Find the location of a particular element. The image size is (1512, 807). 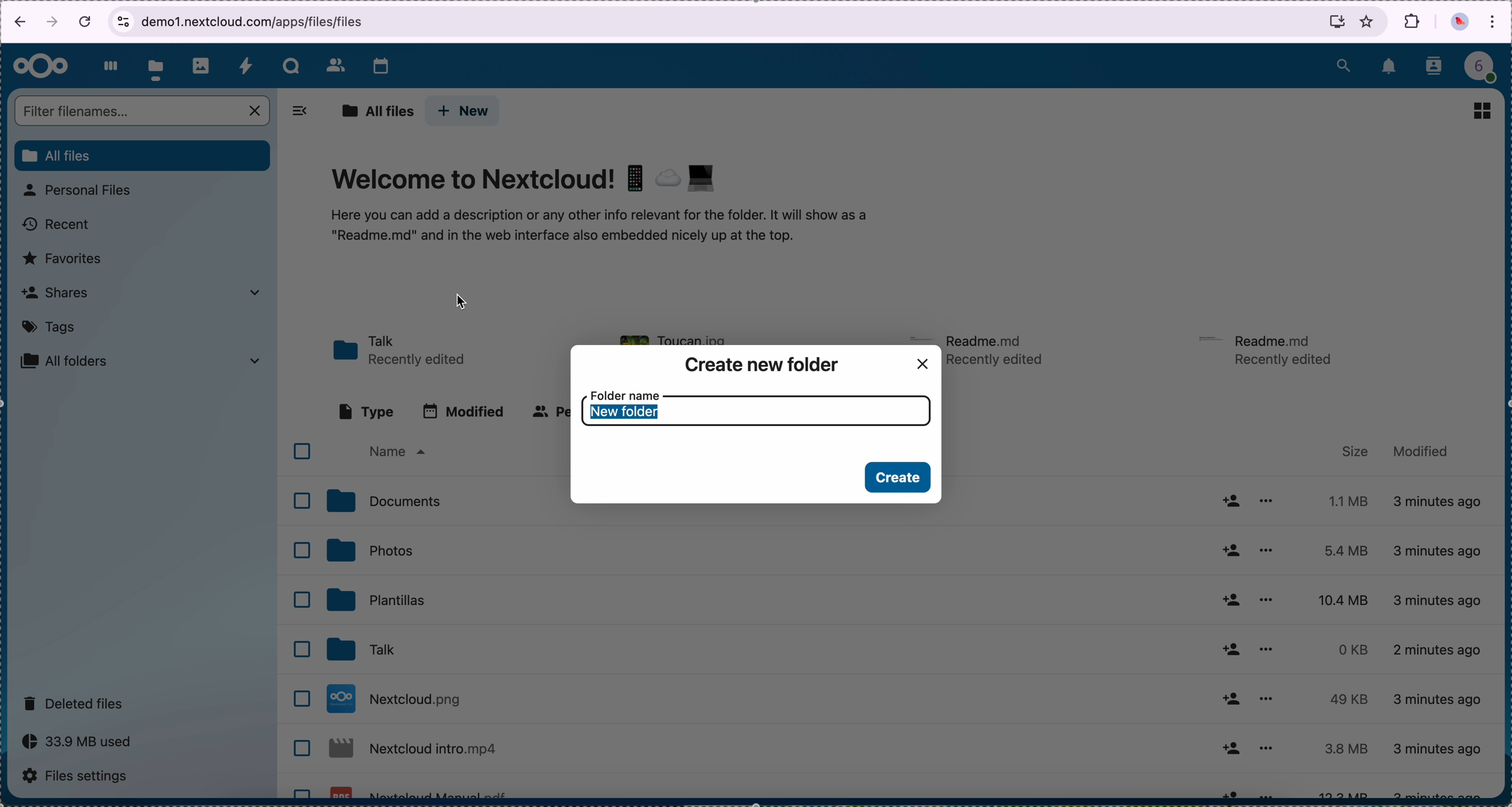

navigate back is located at coordinates (16, 24).